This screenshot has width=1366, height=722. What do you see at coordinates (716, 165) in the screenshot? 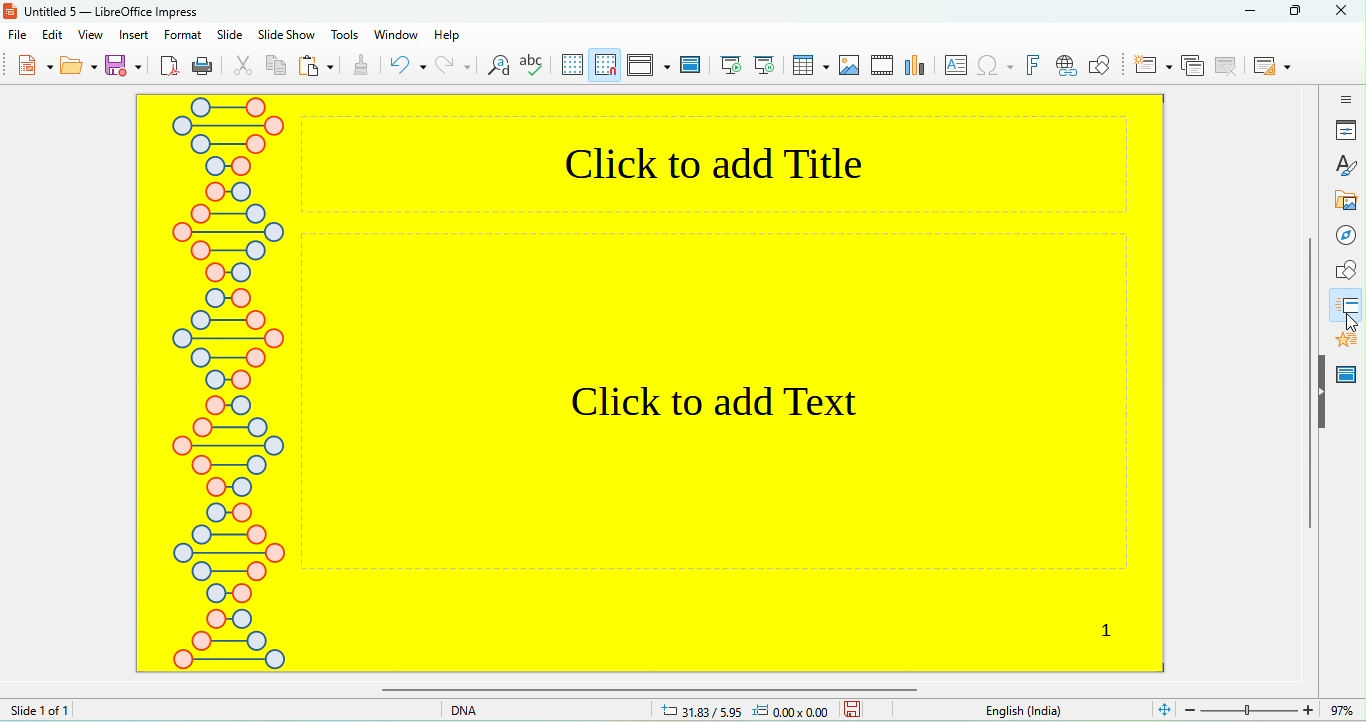
I see `click to add title` at bounding box center [716, 165].